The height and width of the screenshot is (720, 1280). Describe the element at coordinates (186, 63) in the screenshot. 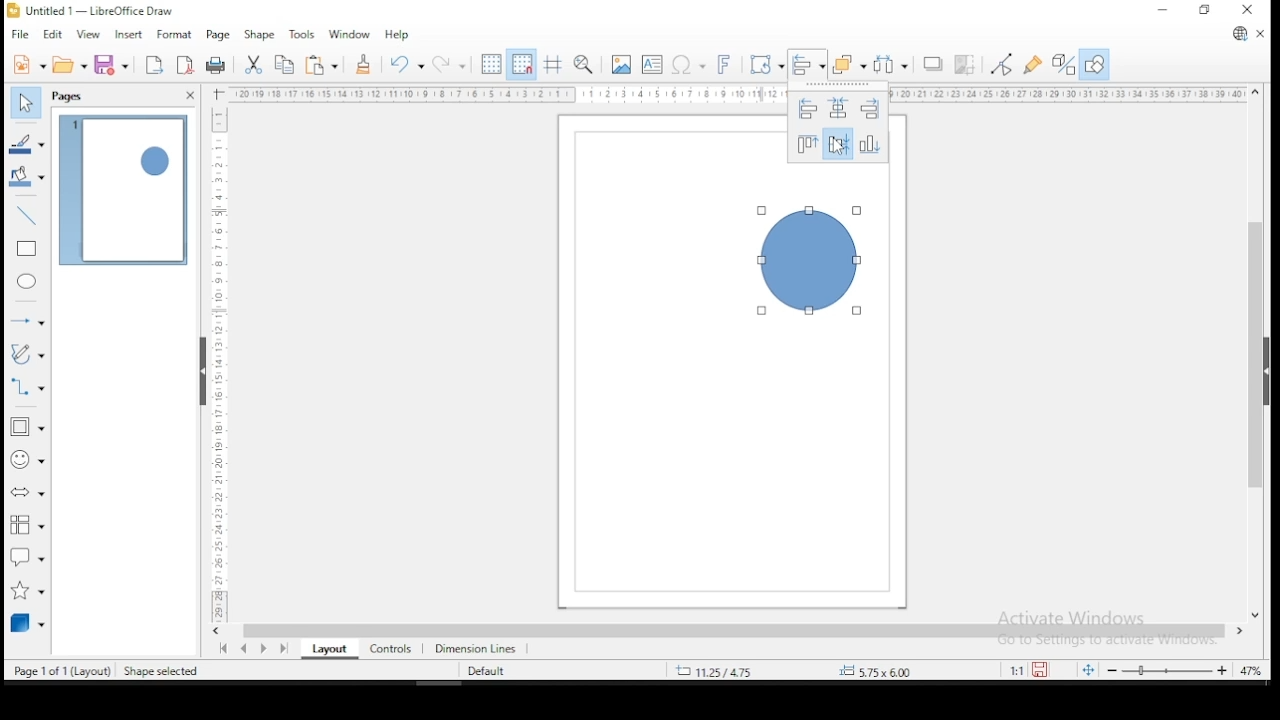

I see `export as PDF` at that location.